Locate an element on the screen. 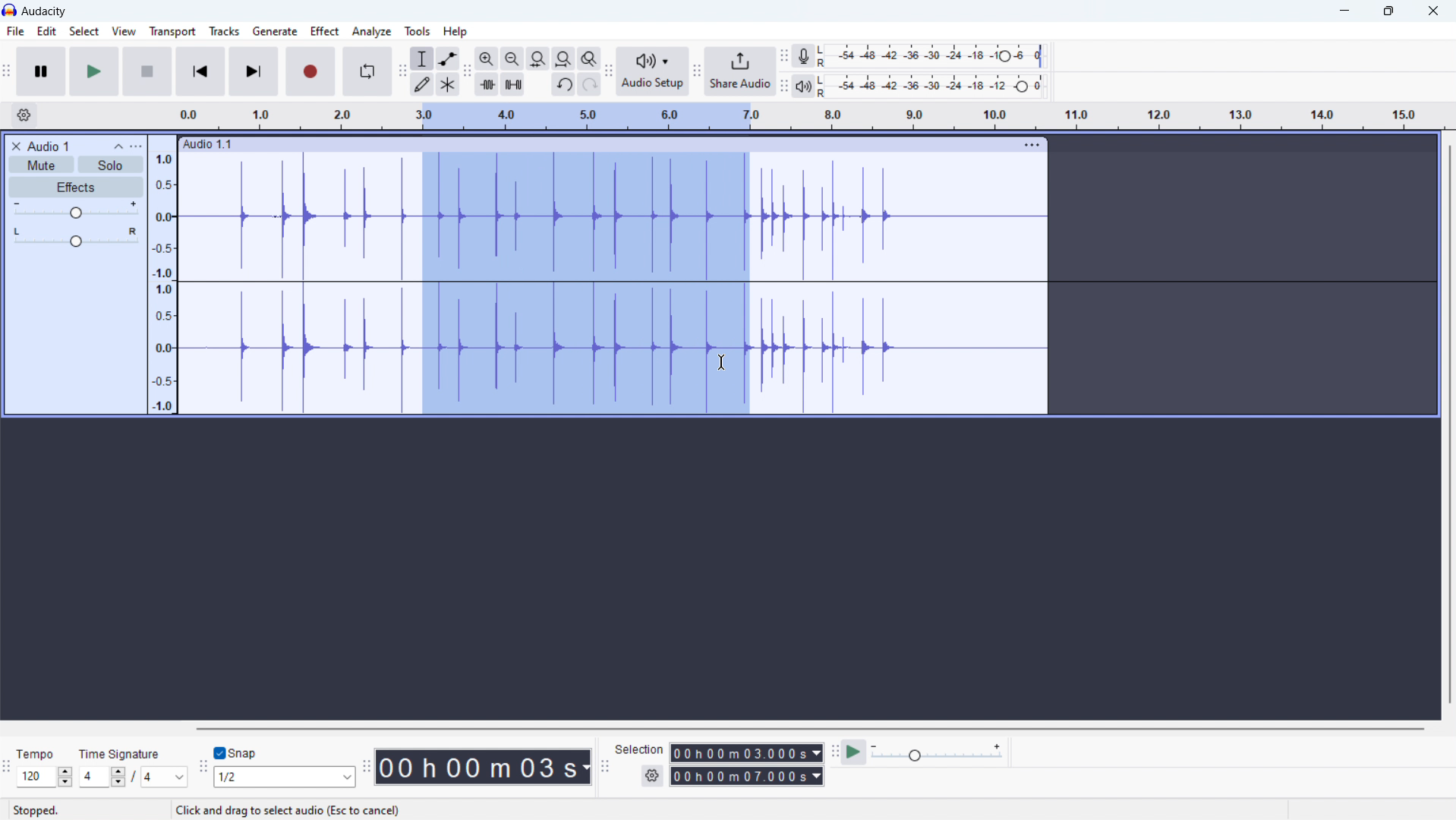  set tempo is located at coordinates (45, 777).